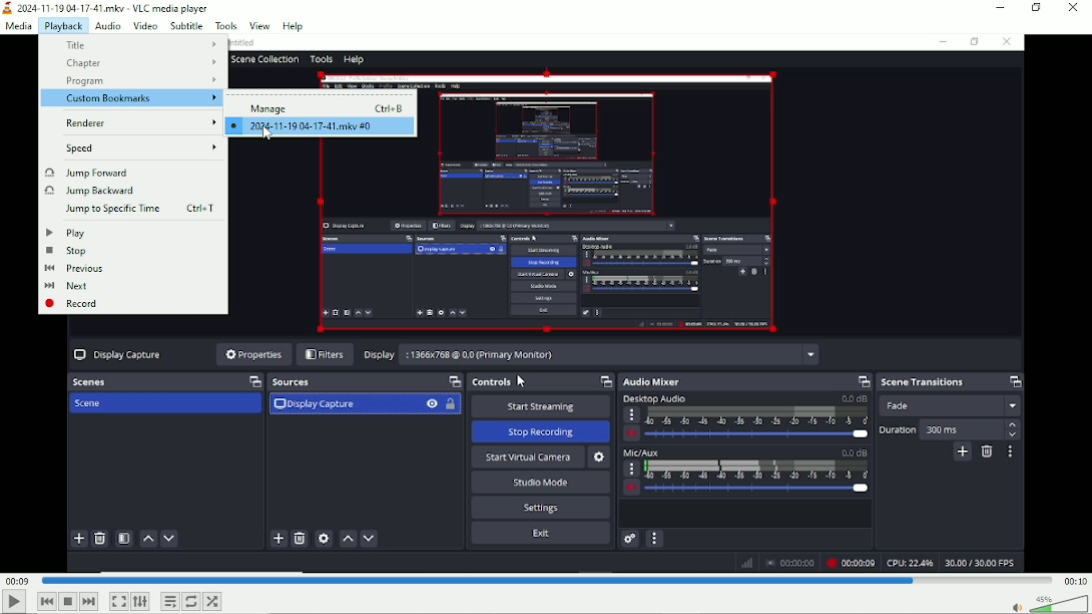  What do you see at coordinates (268, 136) in the screenshot?
I see `Cursor` at bounding box center [268, 136].